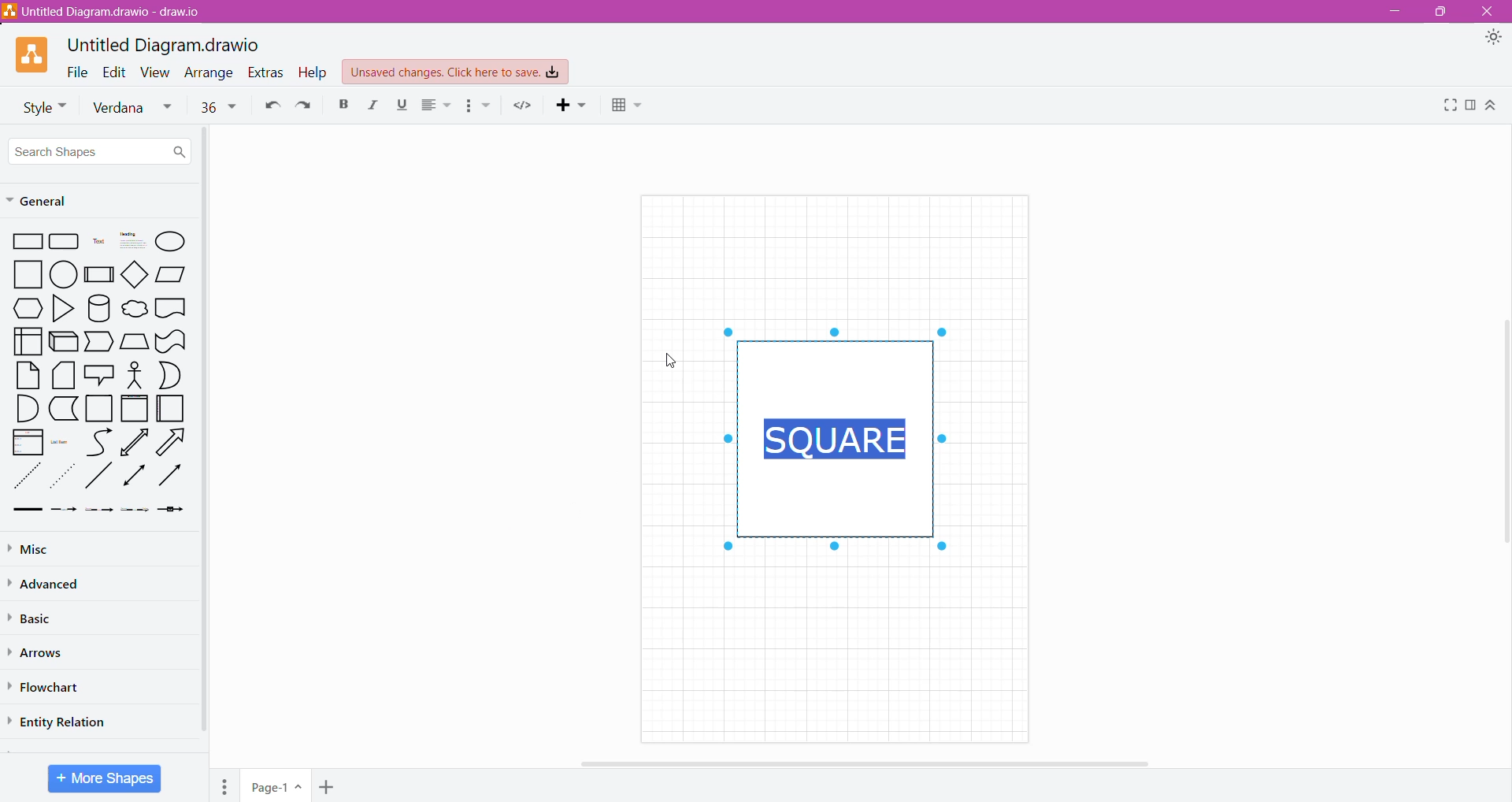  I want to click on Thick line, so click(27, 510).